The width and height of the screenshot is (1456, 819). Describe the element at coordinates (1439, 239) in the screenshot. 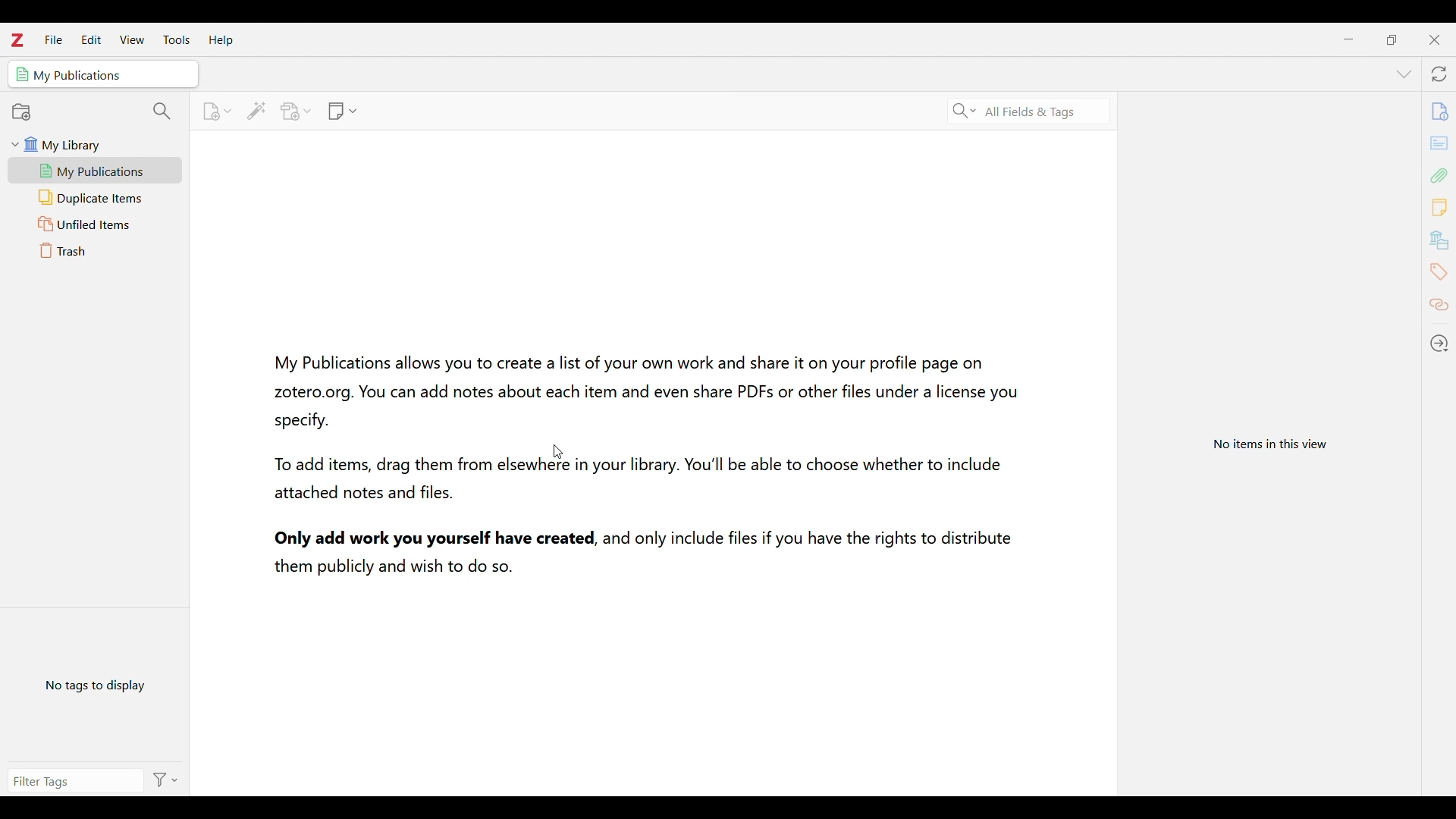

I see `Libraries and collections` at that location.